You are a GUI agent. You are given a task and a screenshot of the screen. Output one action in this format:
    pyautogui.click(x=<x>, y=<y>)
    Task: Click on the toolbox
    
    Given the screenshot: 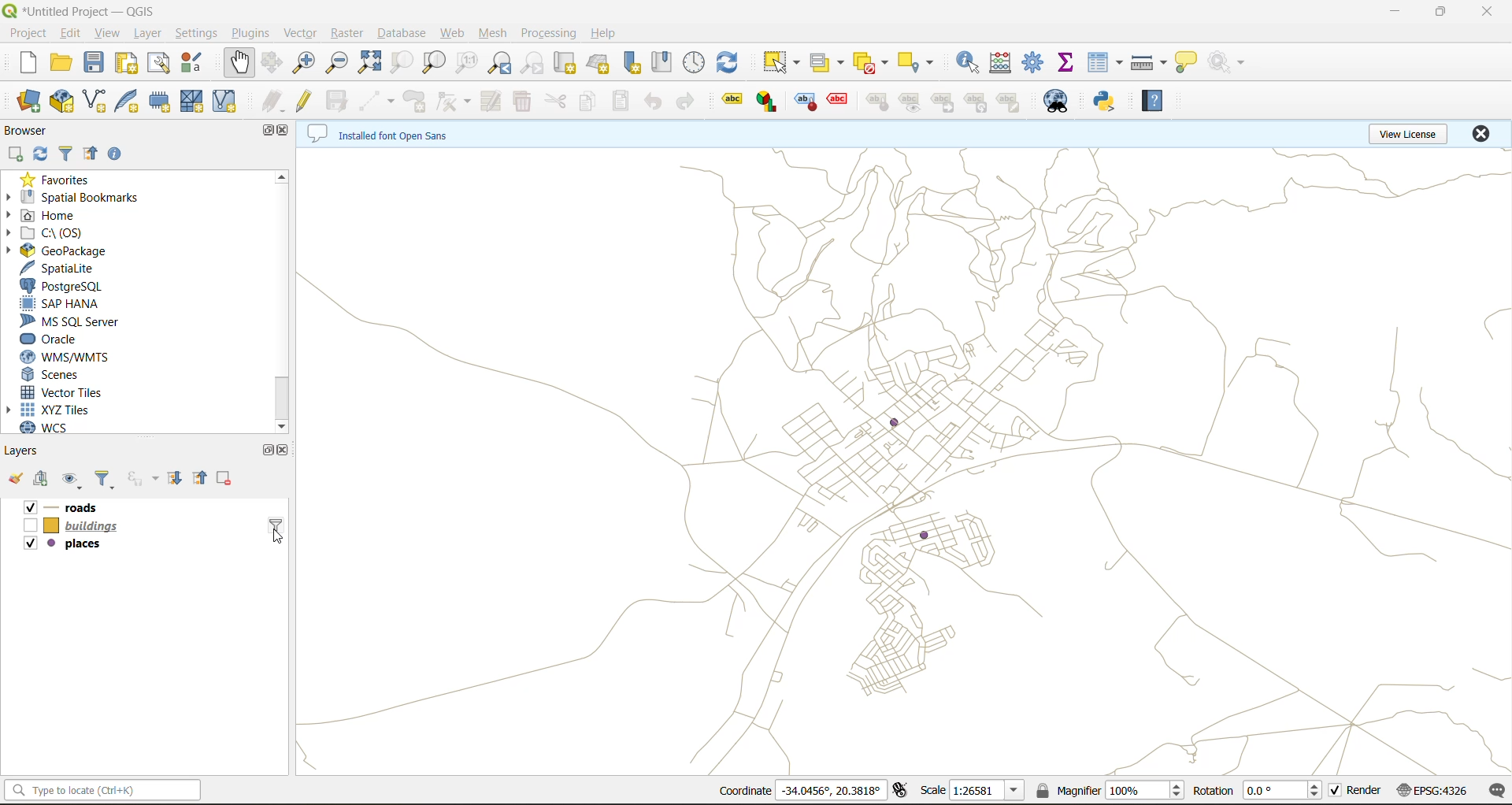 What is the action you would take?
    pyautogui.click(x=1037, y=65)
    